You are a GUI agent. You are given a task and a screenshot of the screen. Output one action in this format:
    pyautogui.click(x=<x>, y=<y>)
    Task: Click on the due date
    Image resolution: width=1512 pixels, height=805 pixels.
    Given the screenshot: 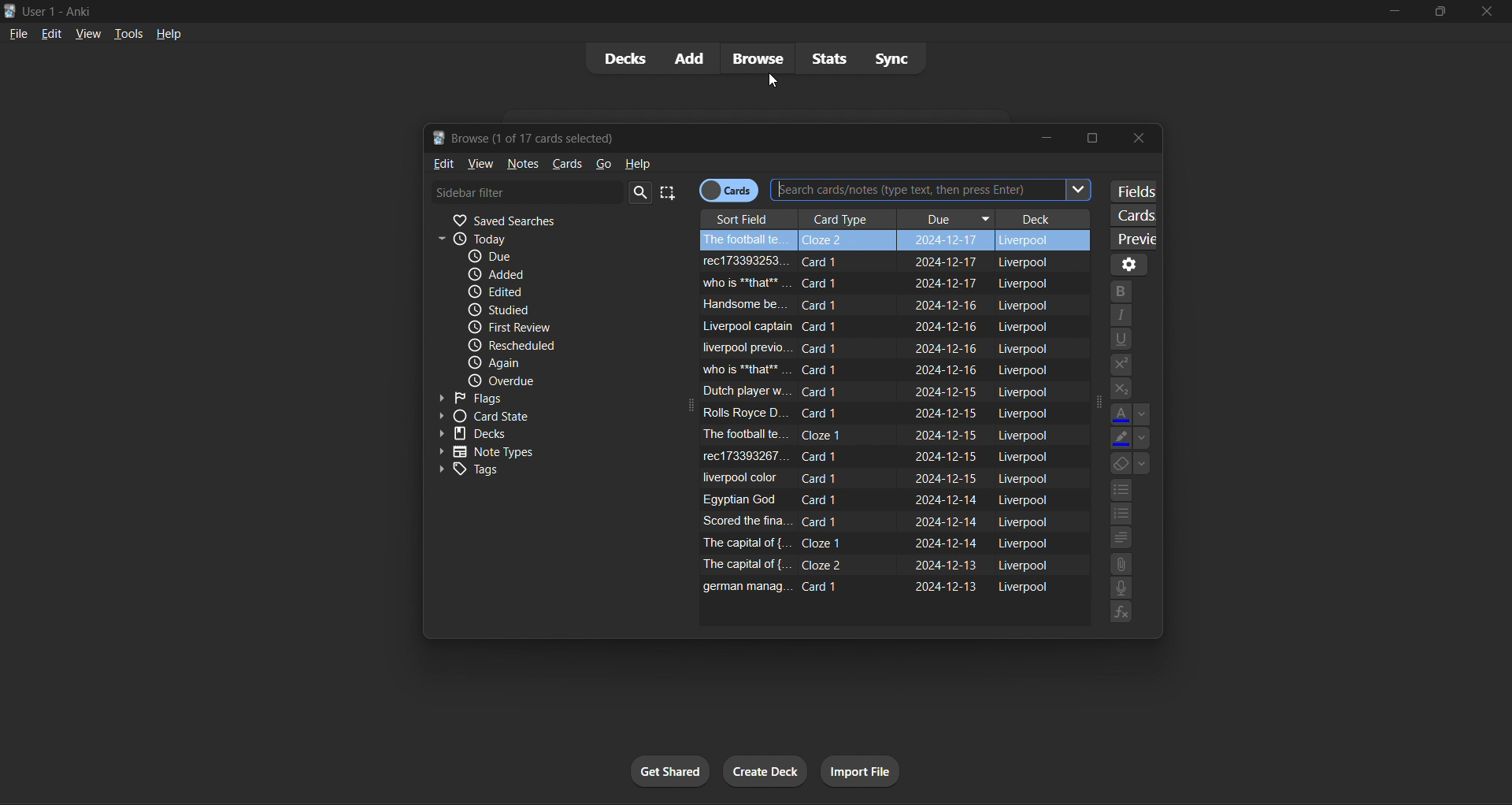 What is the action you would take?
    pyautogui.click(x=950, y=282)
    